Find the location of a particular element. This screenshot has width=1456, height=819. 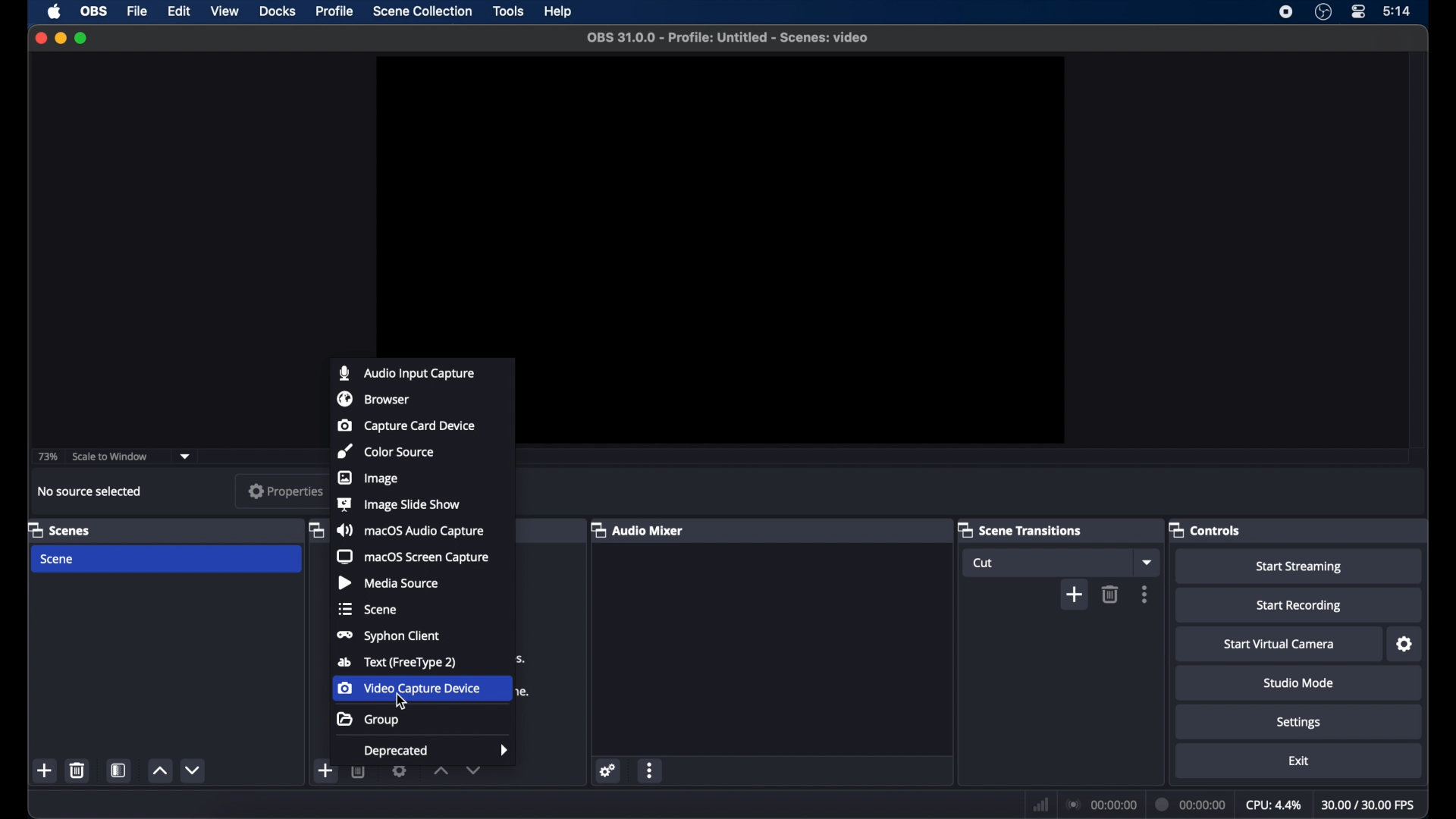

file is located at coordinates (136, 11).